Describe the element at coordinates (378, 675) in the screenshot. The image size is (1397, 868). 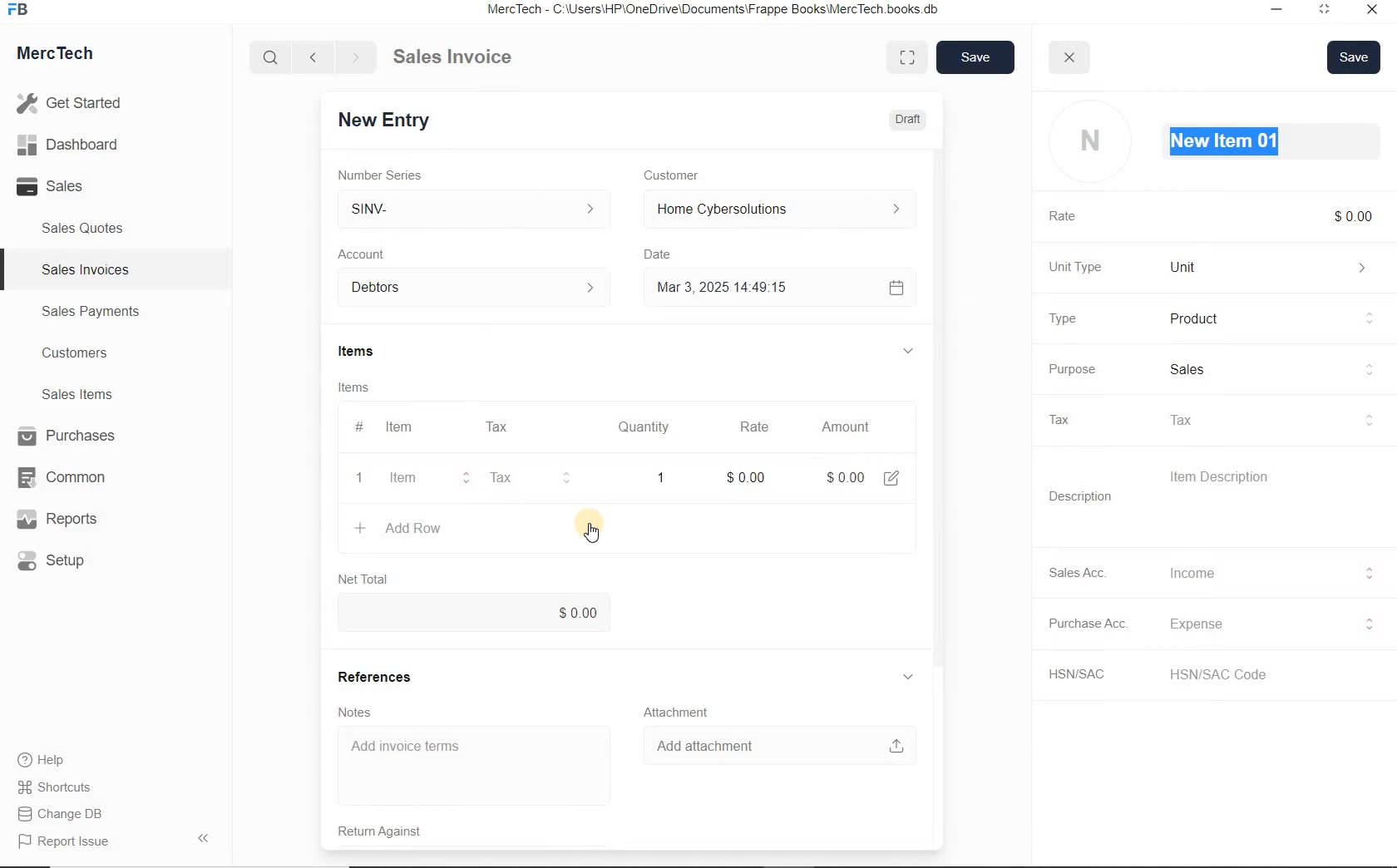
I see `References` at that location.